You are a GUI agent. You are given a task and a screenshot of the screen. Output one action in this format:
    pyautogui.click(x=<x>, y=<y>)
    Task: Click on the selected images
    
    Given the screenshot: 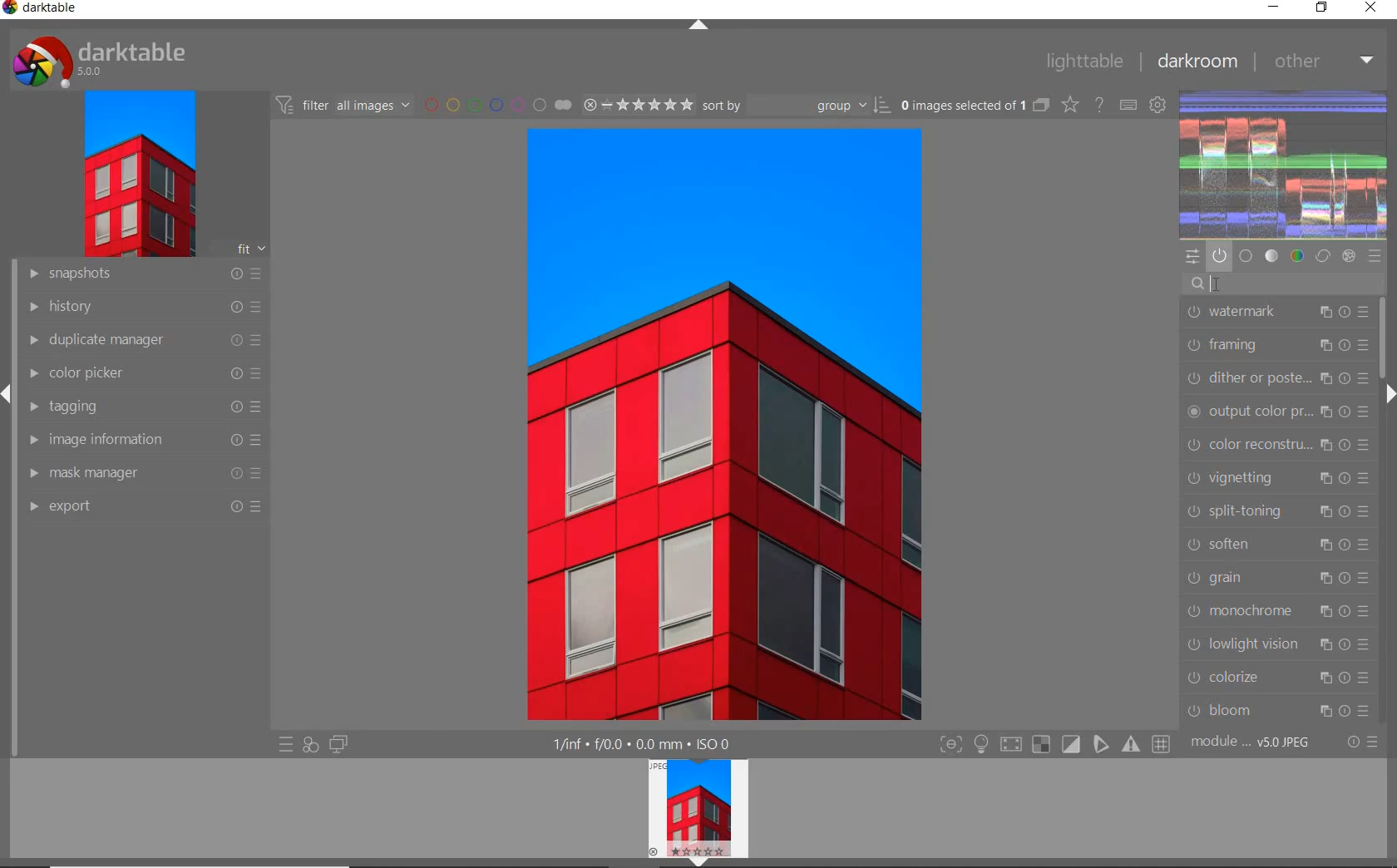 What is the action you would take?
    pyautogui.click(x=974, y=106)
    